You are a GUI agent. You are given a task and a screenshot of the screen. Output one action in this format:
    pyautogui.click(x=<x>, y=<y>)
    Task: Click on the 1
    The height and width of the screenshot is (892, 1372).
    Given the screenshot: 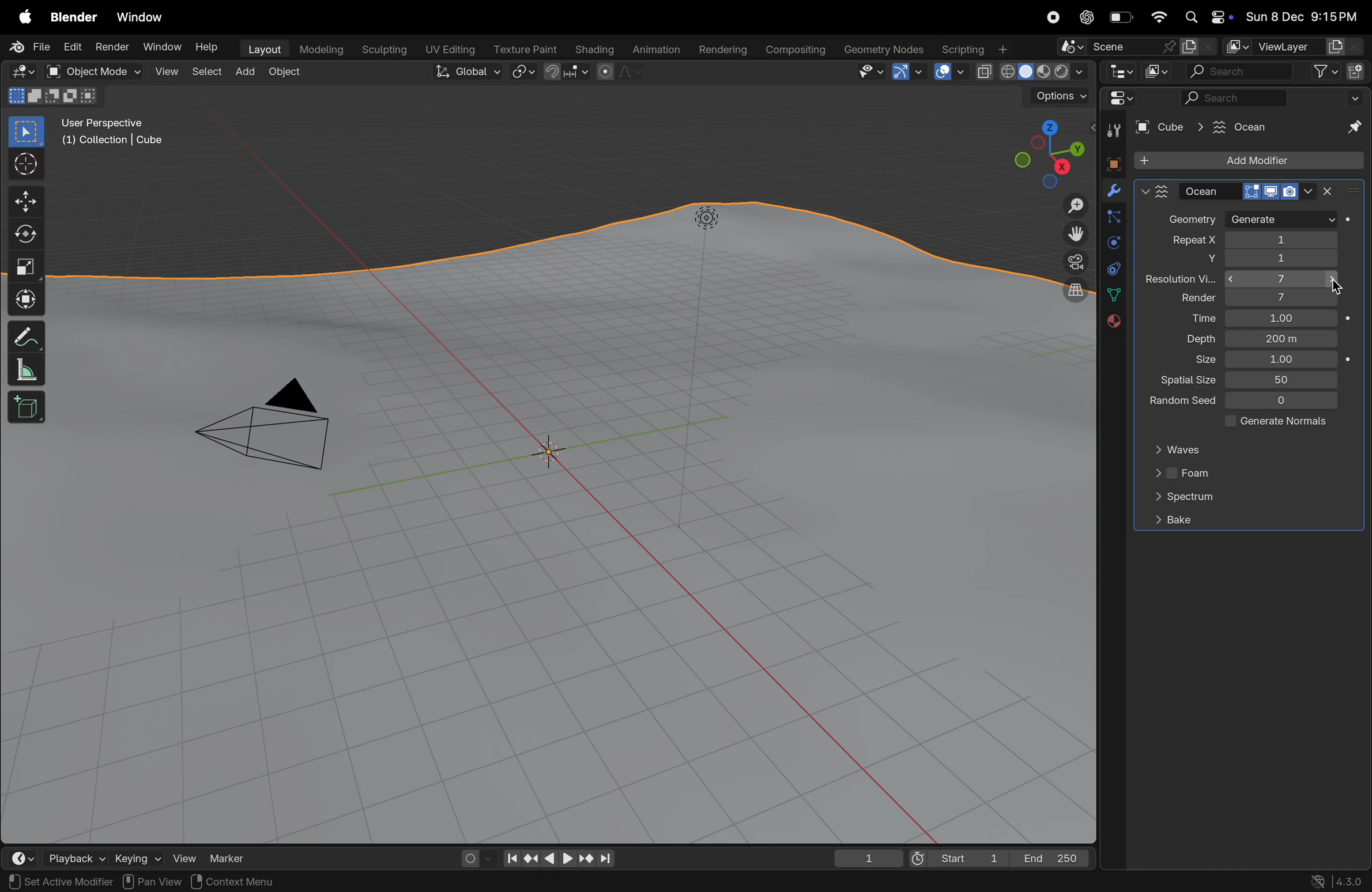 What is the action you would take?
    pyautogui.click(x=1280, y=319)
    